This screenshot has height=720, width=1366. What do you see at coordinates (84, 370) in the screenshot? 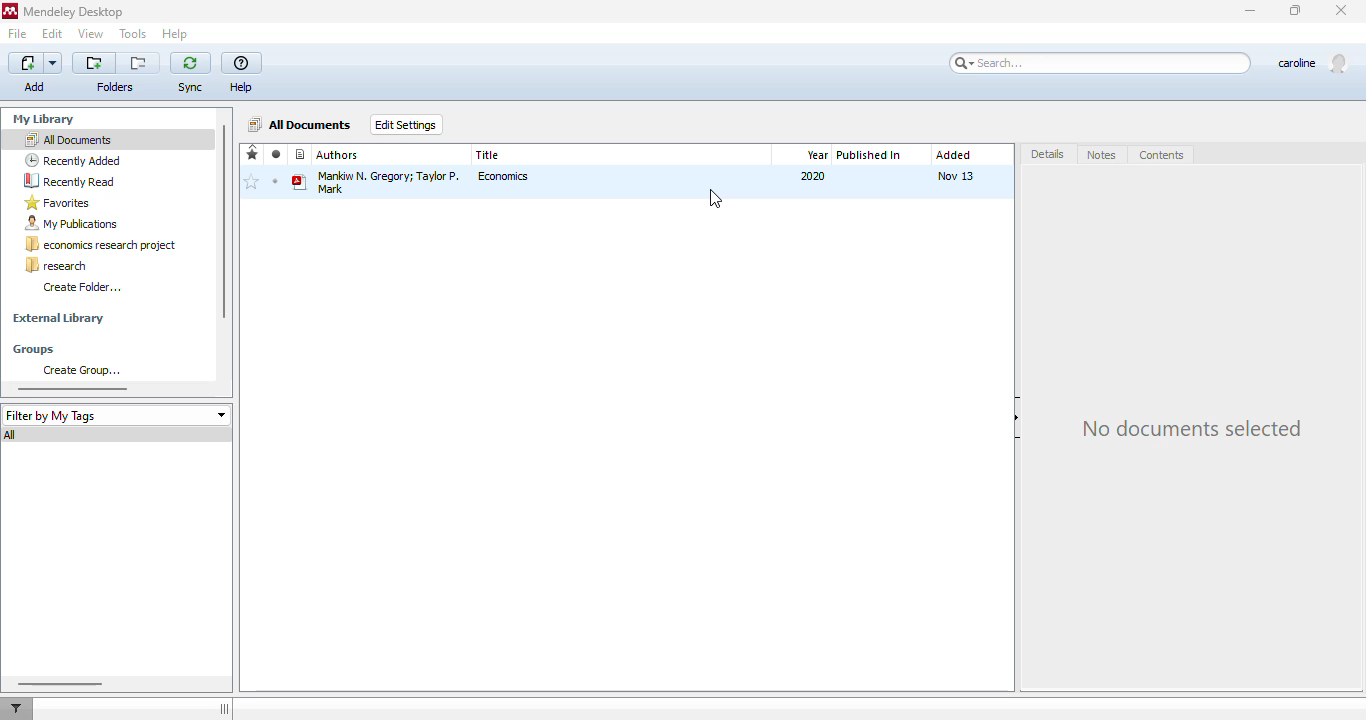
I see `create group` at bounding box center [84, 370].